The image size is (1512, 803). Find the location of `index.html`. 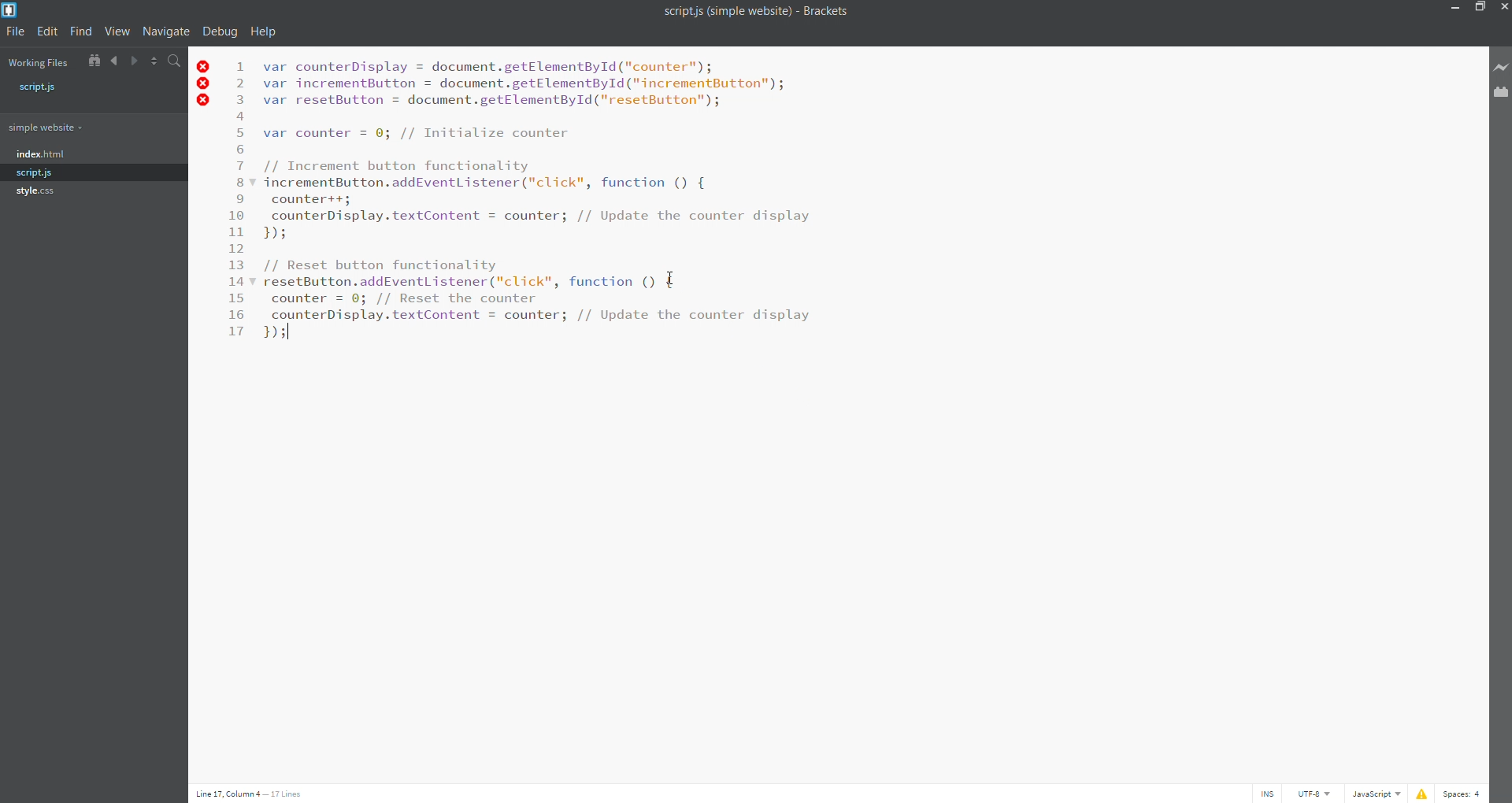

index.html is located at coordinates (93, 156).